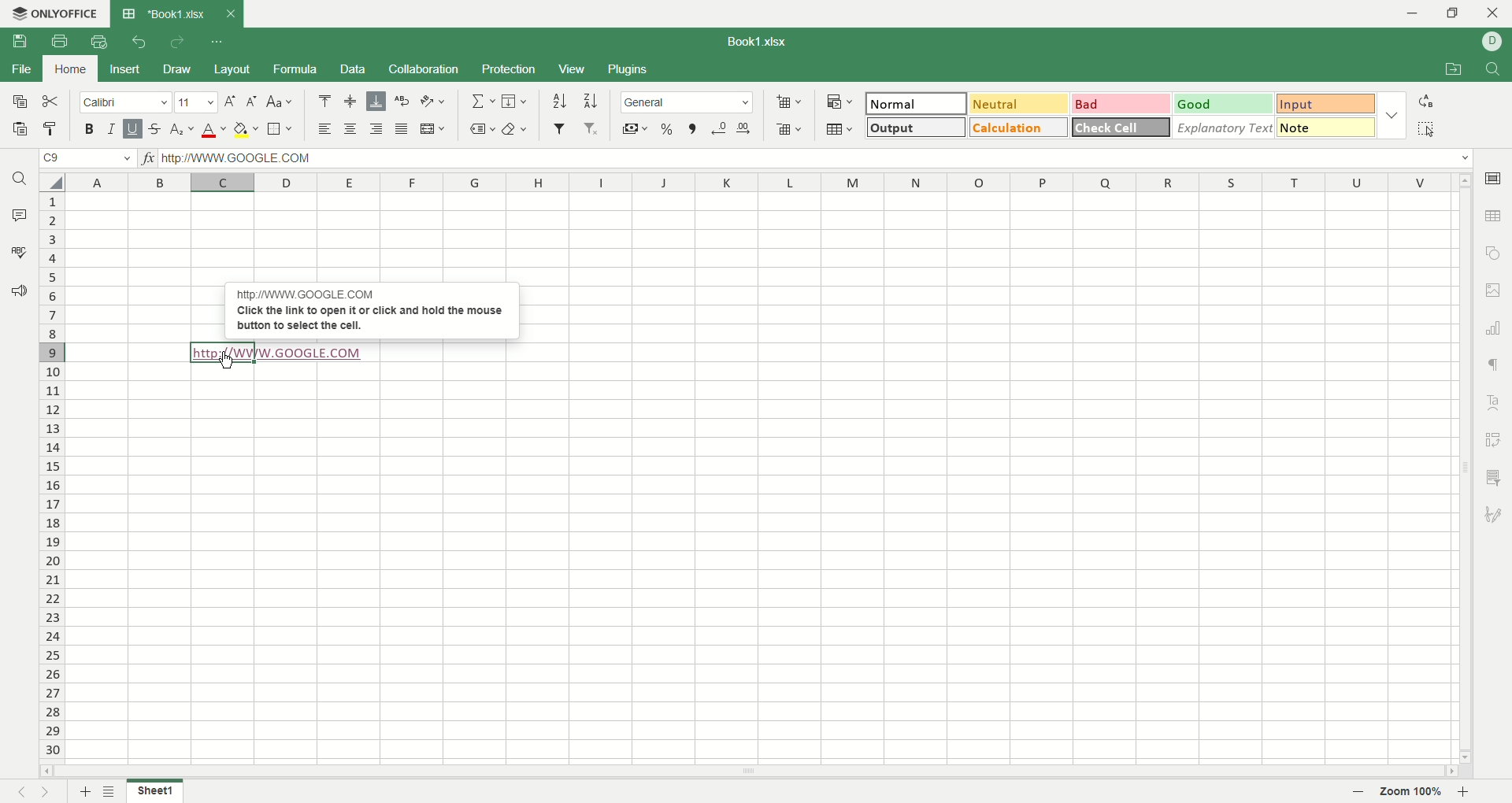 The image size is (1512, 803). Describe the element at coordinates (686, 102) in the screenshot. I see `number format` at that location.